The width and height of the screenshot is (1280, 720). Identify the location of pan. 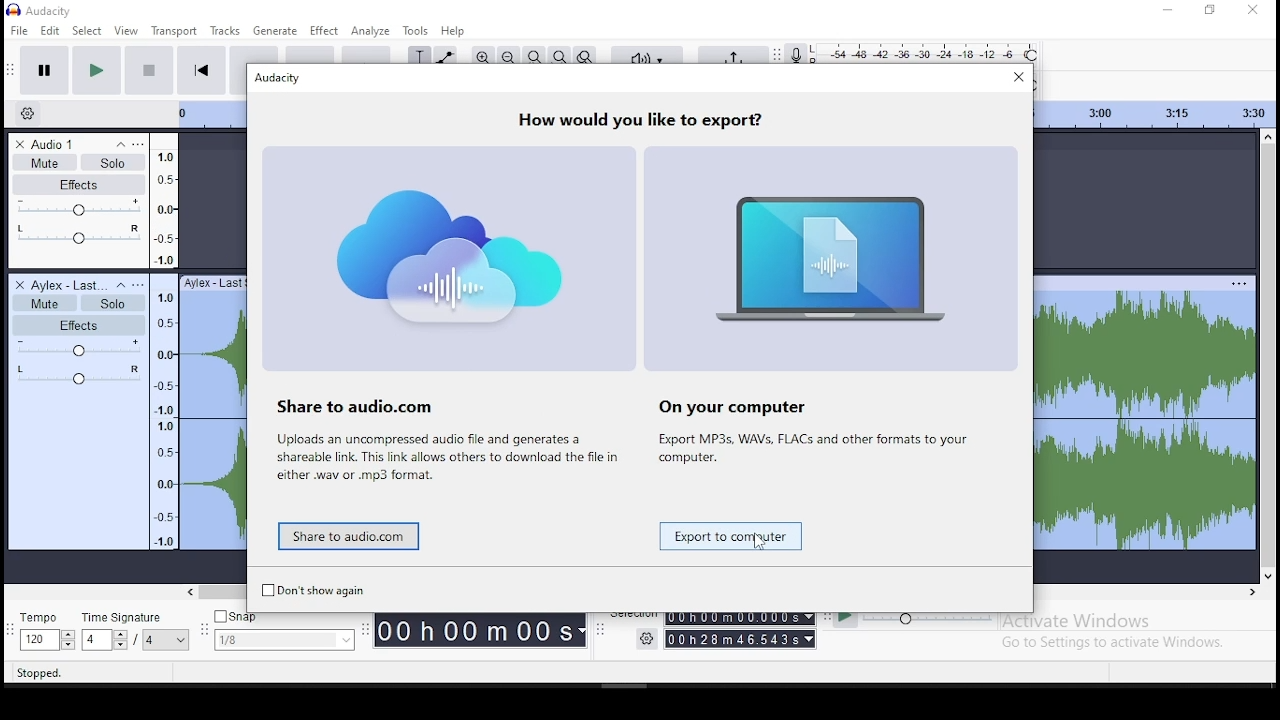
(79, 375).